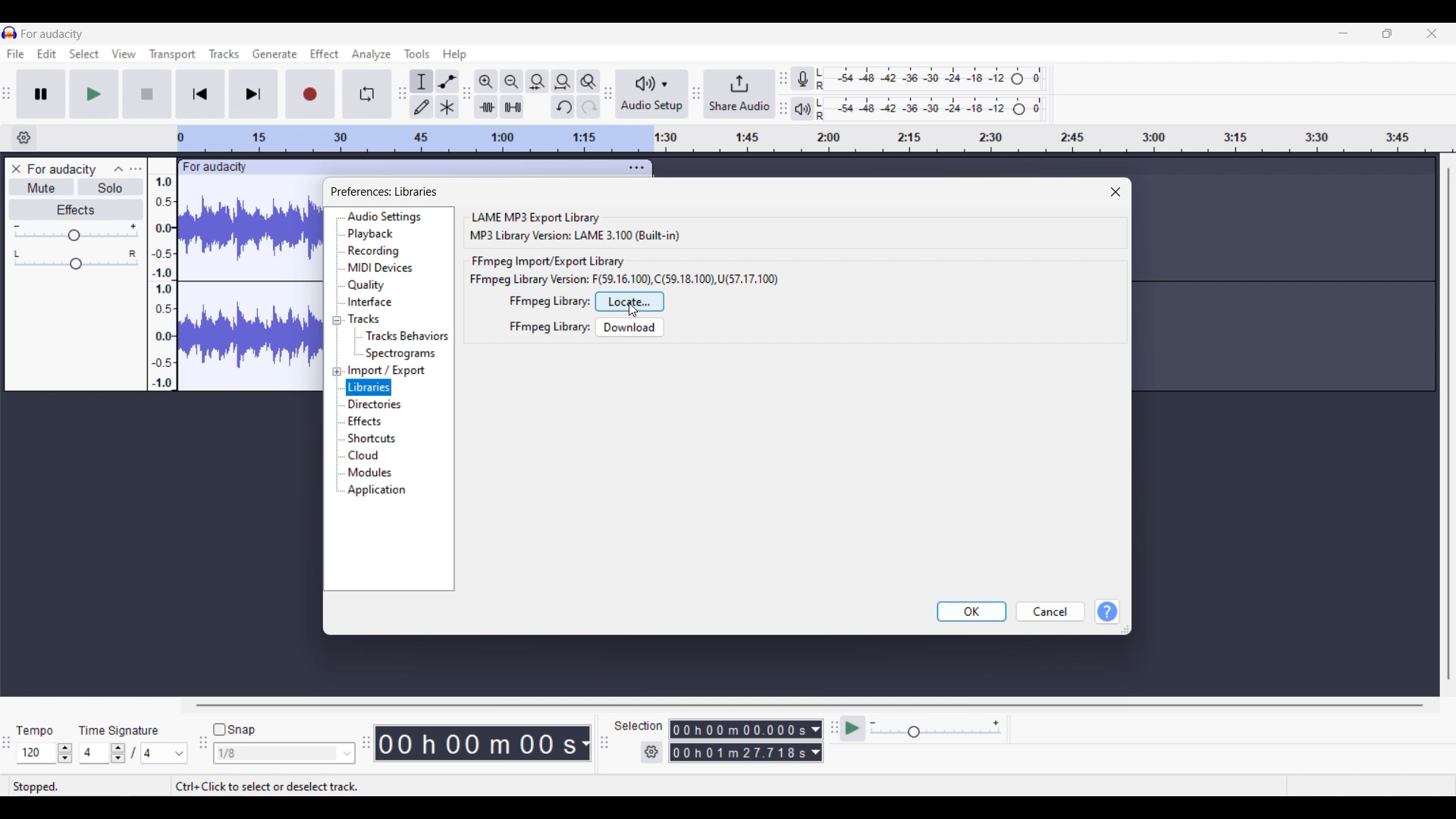 The width and height of the screenshot is (1456, 819). I want to click on Time signature settings, so click(133, 753).